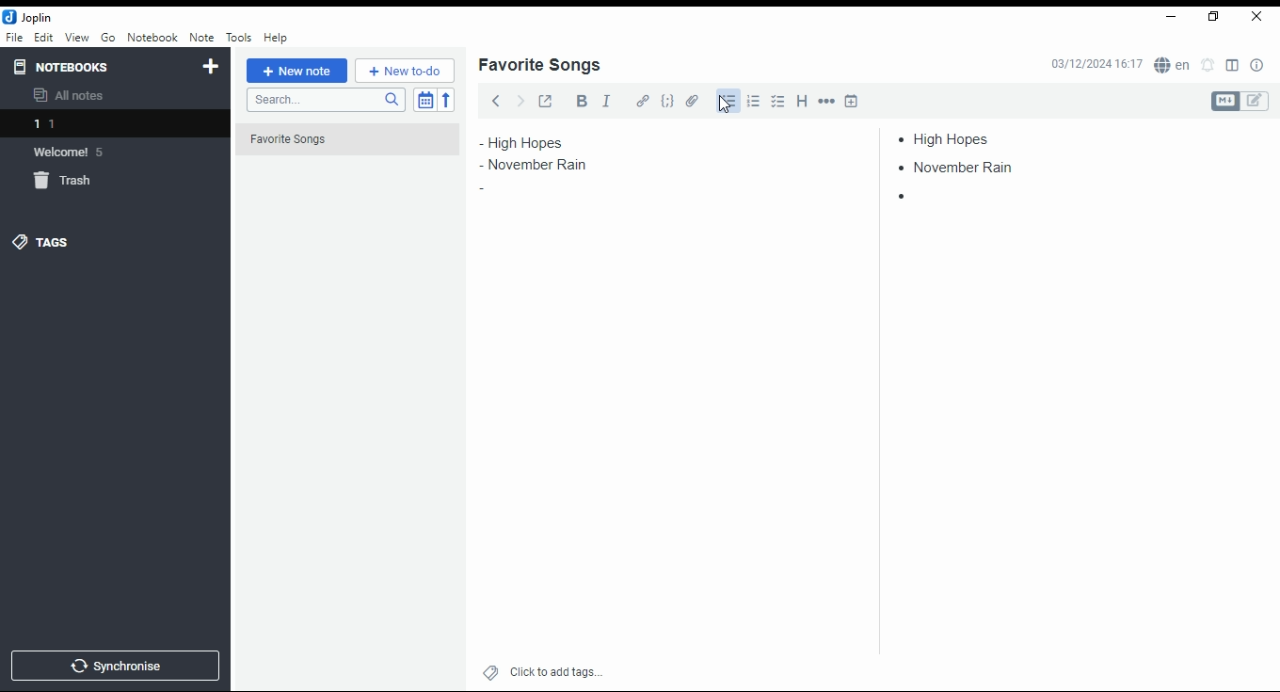 The width and height of the screenshot is (1280, 692). What do you see at coordinates (74, 184) in the screenshot?
I see `trash` at bounding box center [74, 184].